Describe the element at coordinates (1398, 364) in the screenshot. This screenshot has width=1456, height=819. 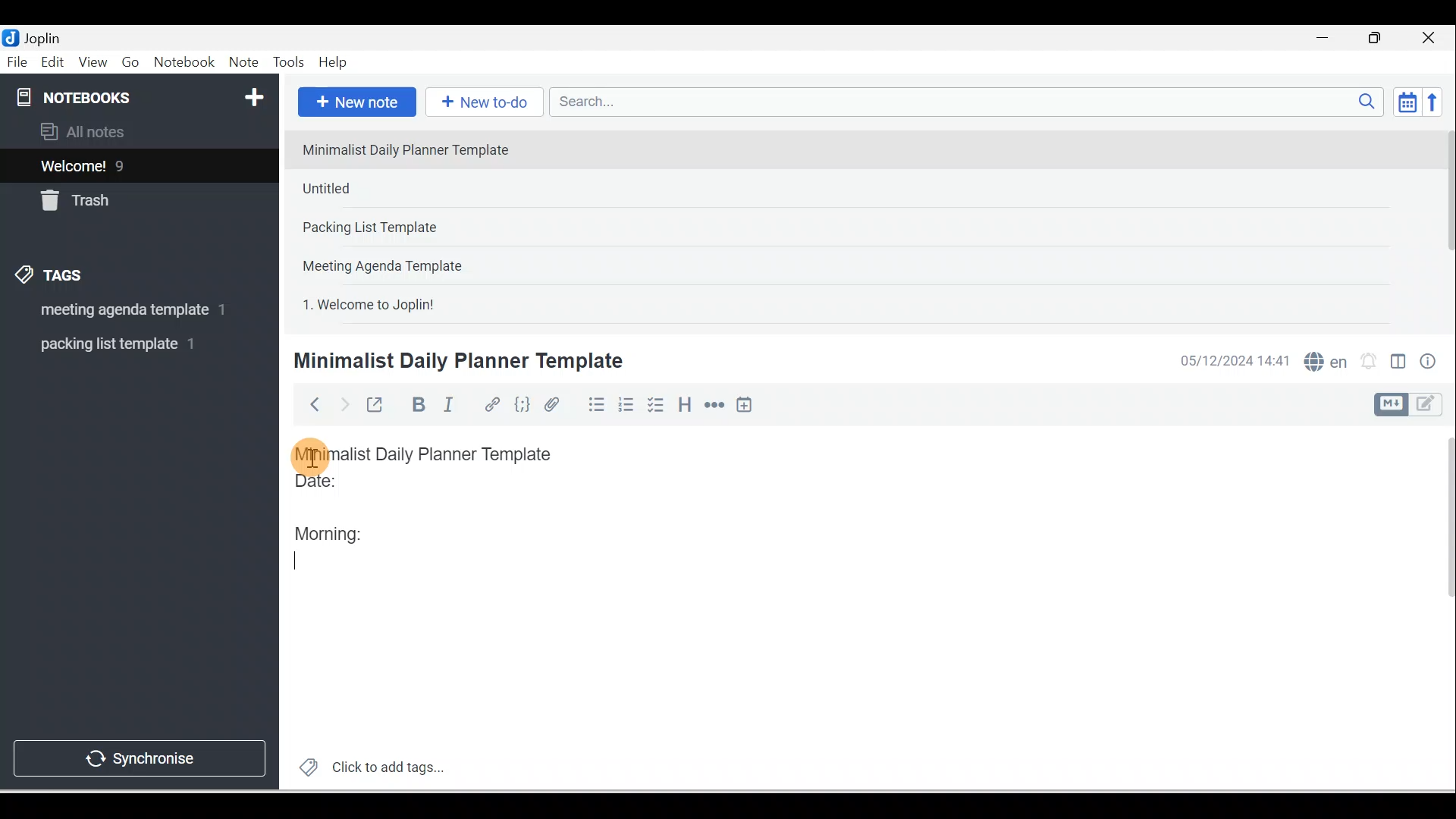
I see `Toggle editors` at that location.